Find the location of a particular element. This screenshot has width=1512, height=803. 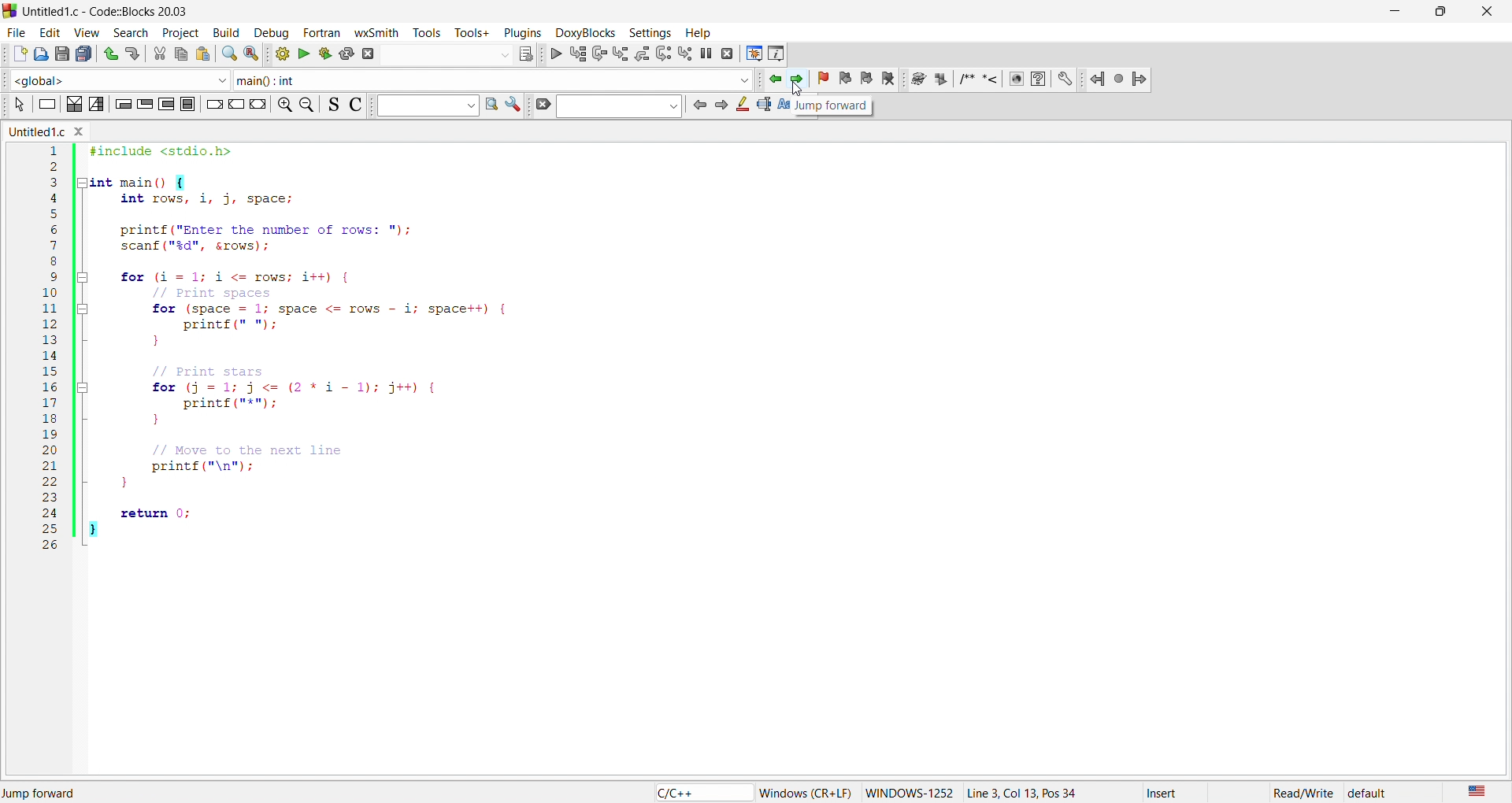

zoom out  is located at coordinates (309, 105).